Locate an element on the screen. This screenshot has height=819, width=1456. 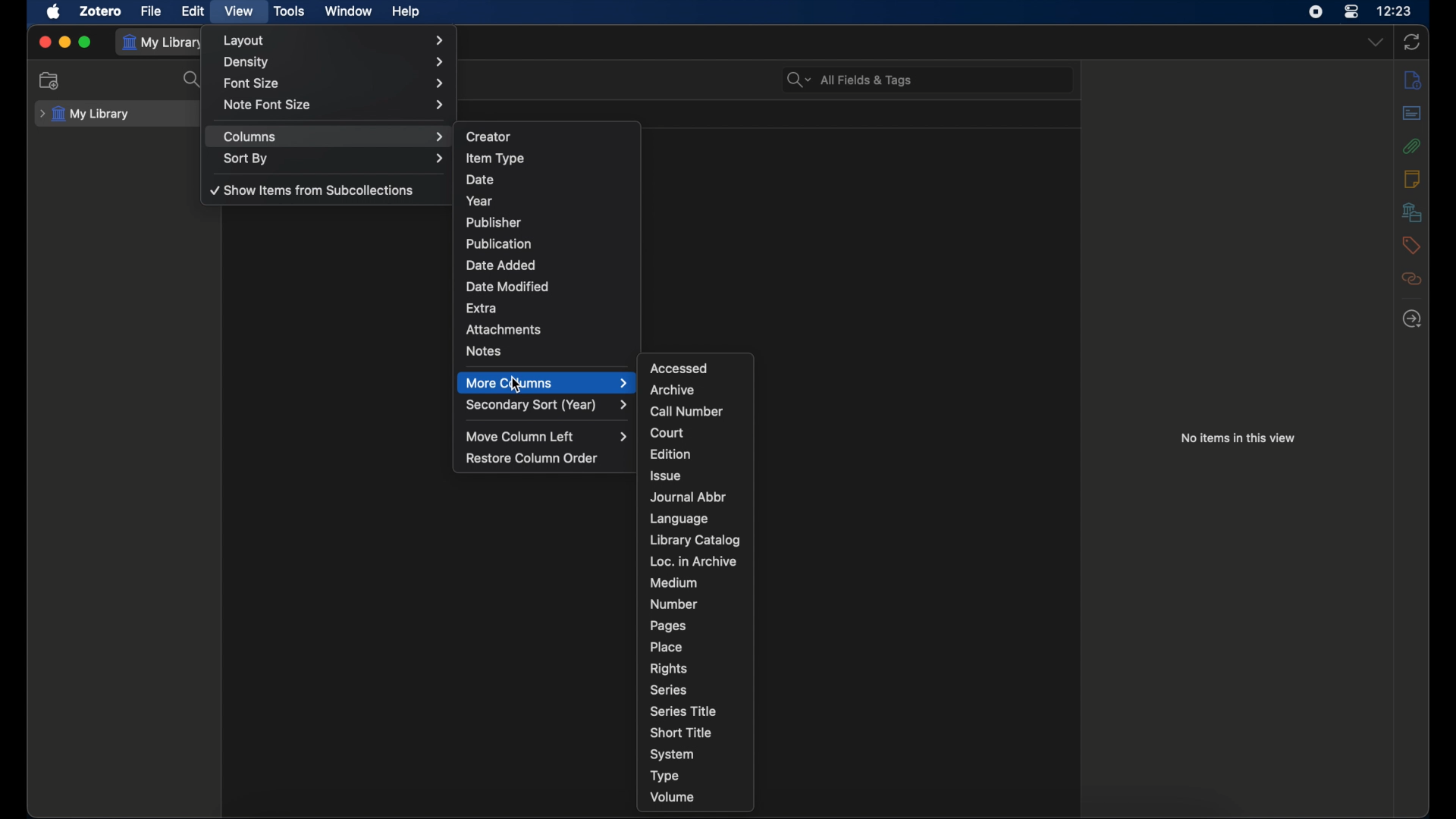
sort by is located at coordinates (333, 159).